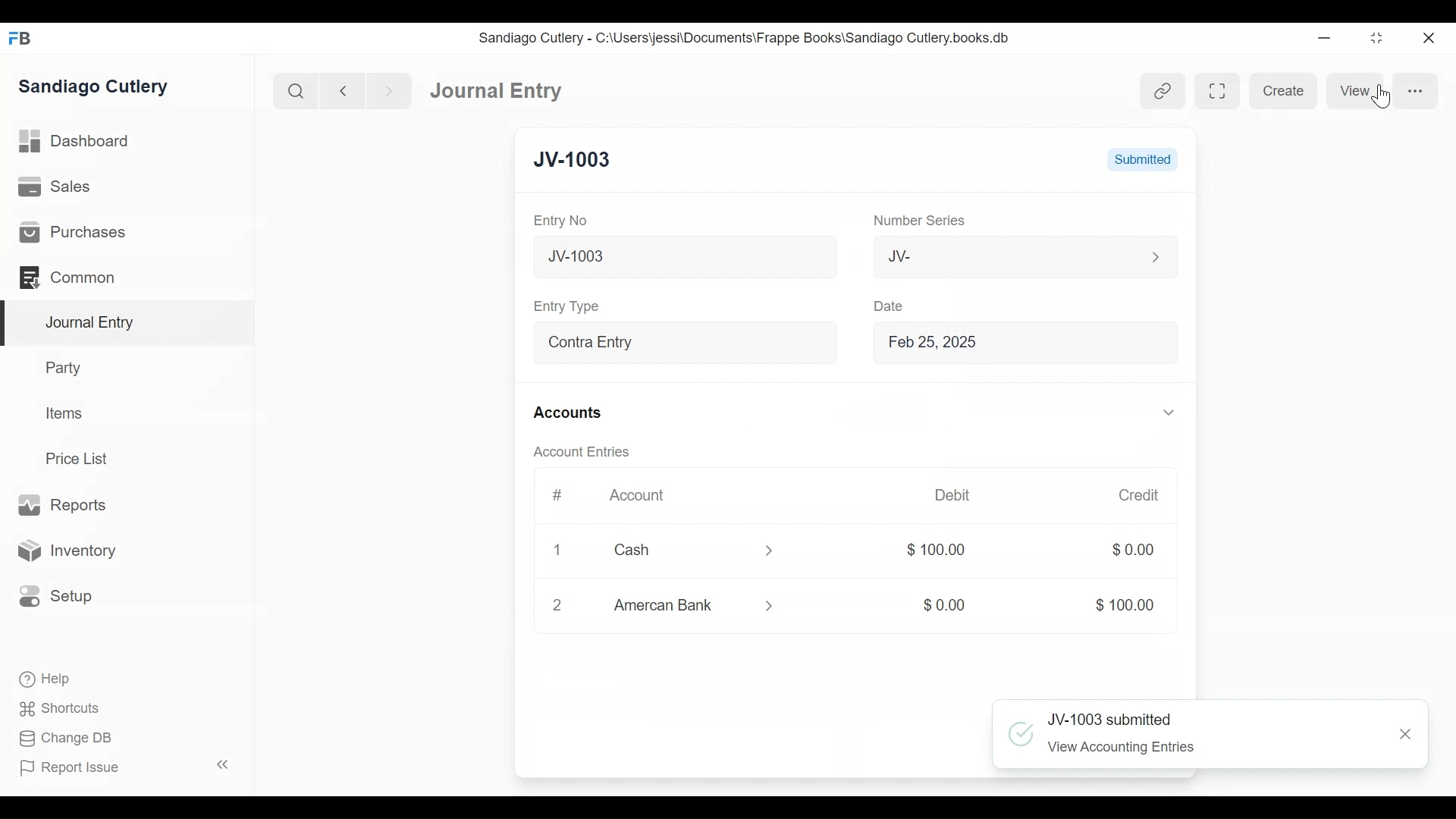 The width and height of the screenshot is (1456, 819). Describe the element at coordinates (1427, 39) in the screenshot. I see `Close` at that location.